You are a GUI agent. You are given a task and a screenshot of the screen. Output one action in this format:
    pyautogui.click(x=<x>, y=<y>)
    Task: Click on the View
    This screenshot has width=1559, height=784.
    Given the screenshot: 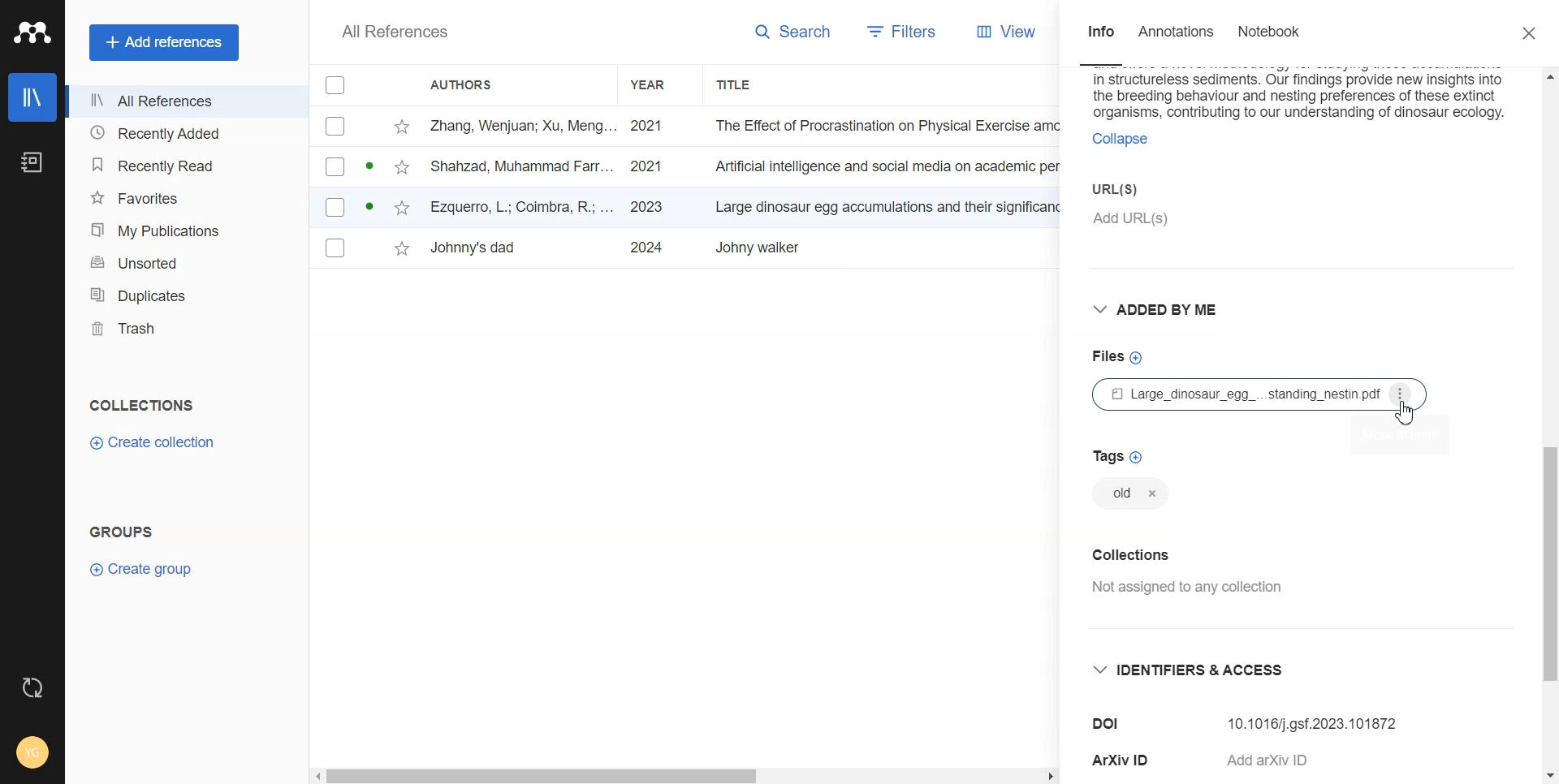 What is the action you would take?
    pyautogui.click(x=1013, y=31)
    